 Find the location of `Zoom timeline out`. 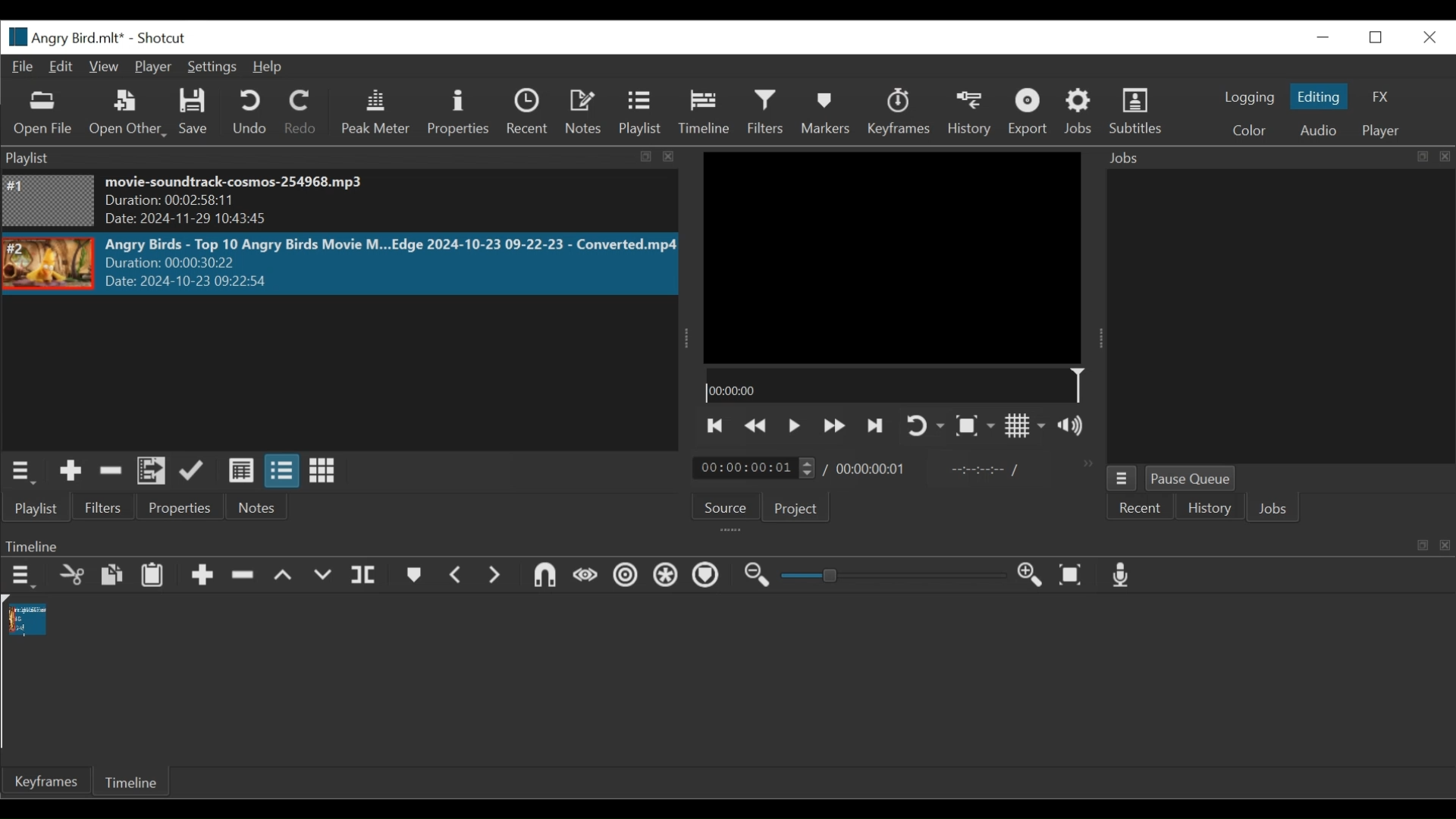

Zoom timeline out is located at coordinates (761, 576).